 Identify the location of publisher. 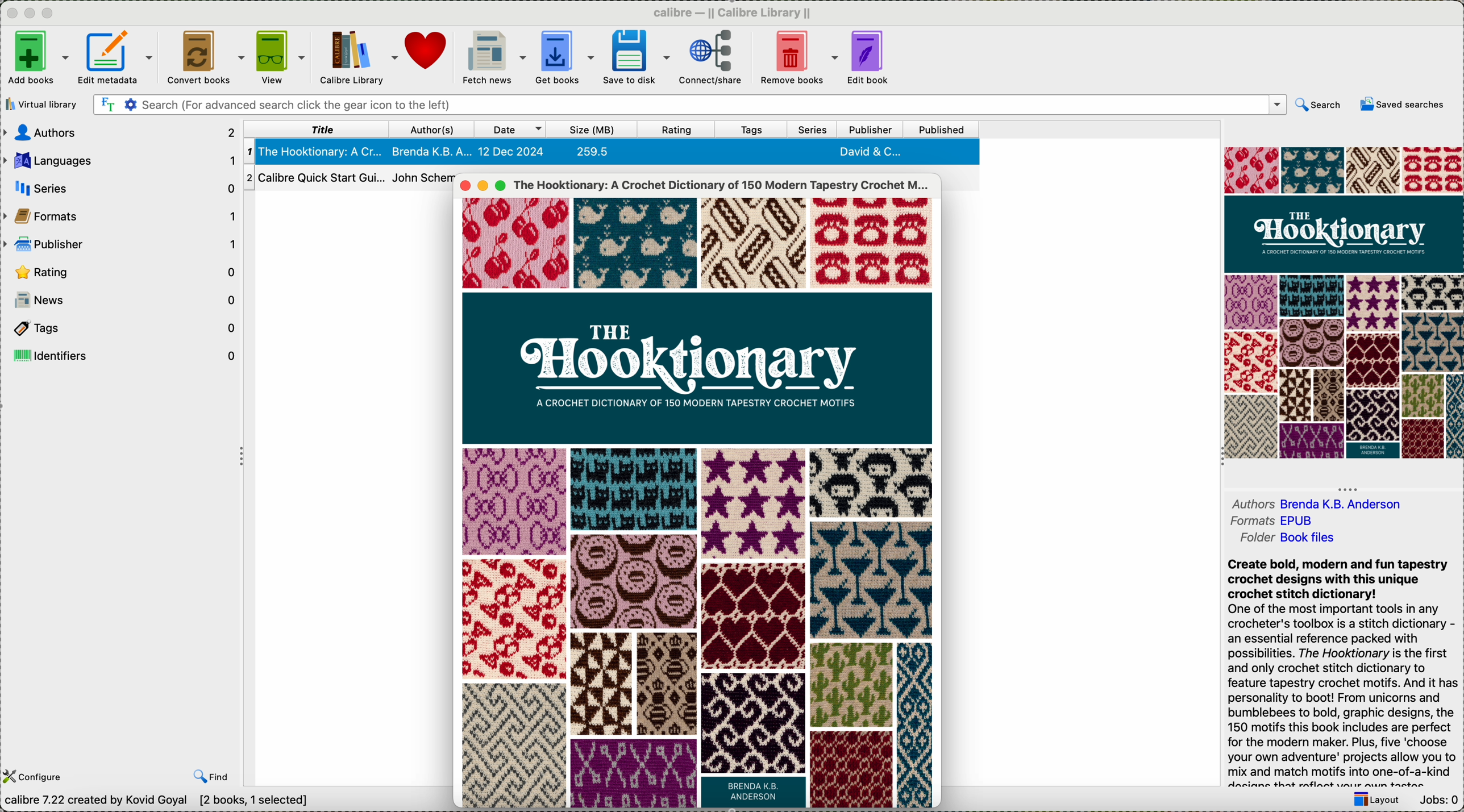
(869, 128).